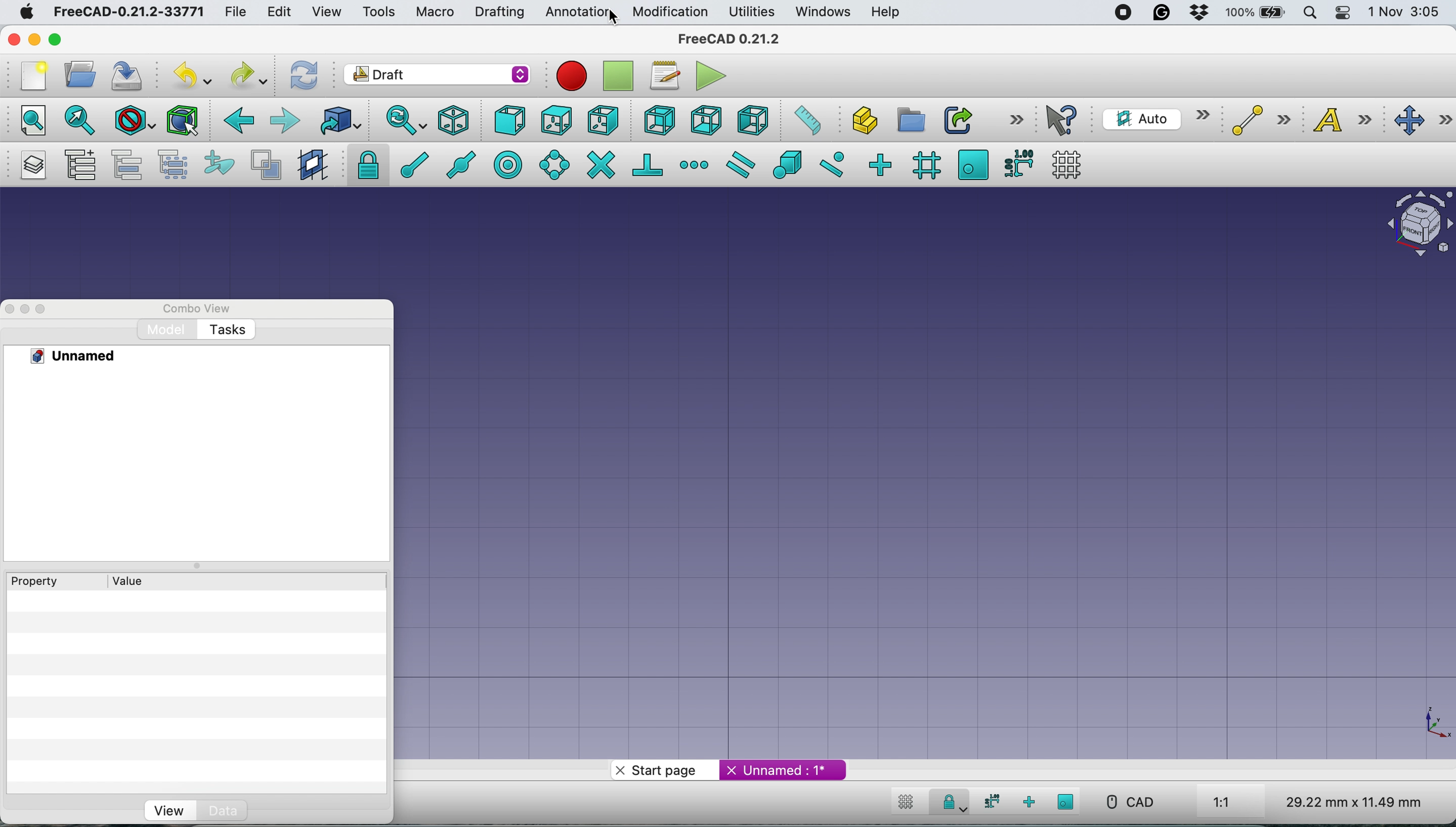 The height and width of the screenshot is (827, 1456). Describe the element at coordinates (694, 165) in the screenshot. I see `snap extension` at that location.